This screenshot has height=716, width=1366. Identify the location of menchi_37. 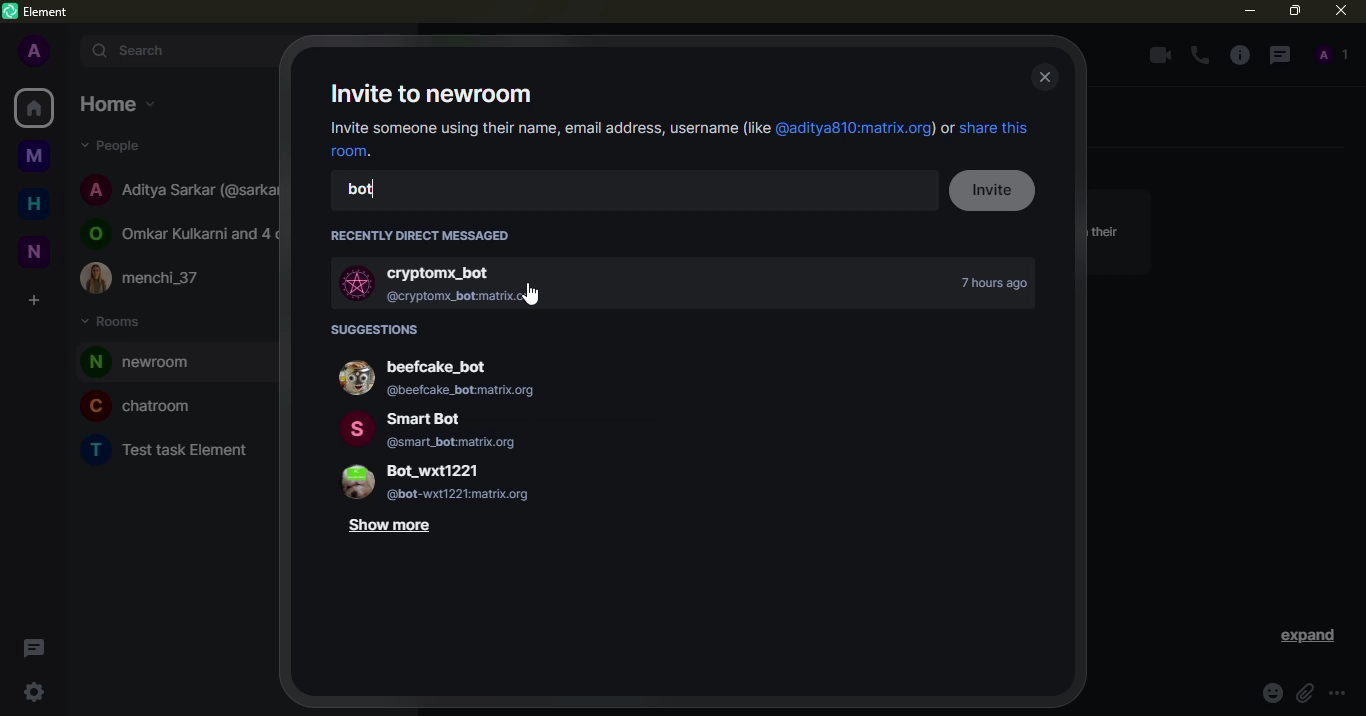
(140, 280).